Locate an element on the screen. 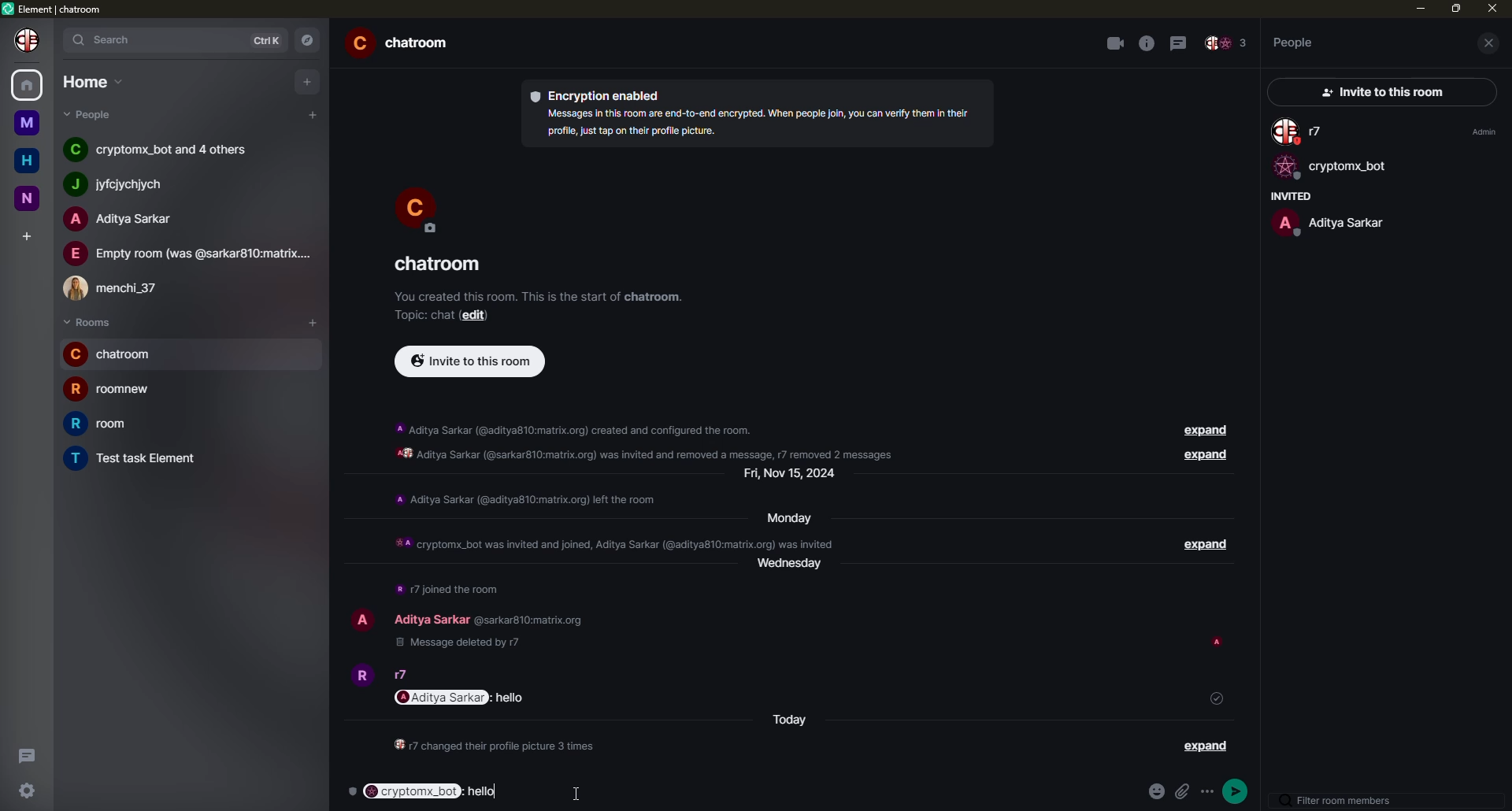 Image resolution: width=1512 pixels, height=811 pixels. threads is located at coordinates (24, 754).